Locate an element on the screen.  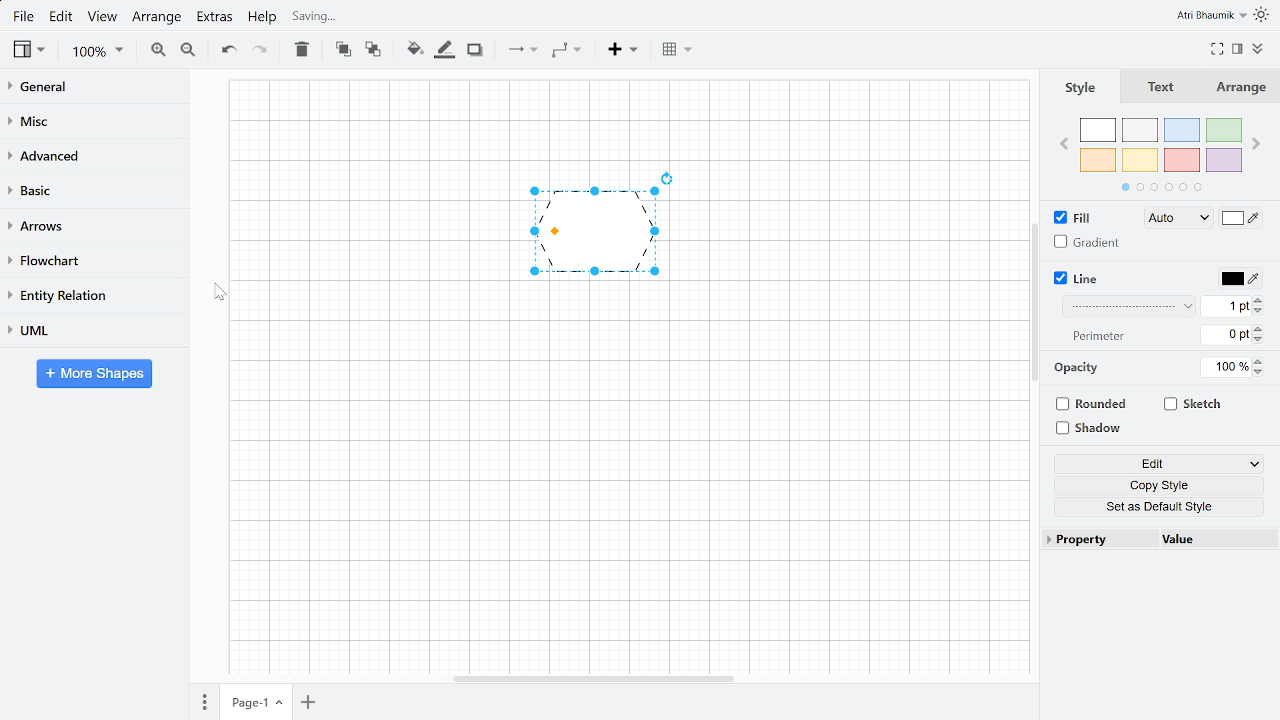
Fill color is located at coordinates (1241, 218).